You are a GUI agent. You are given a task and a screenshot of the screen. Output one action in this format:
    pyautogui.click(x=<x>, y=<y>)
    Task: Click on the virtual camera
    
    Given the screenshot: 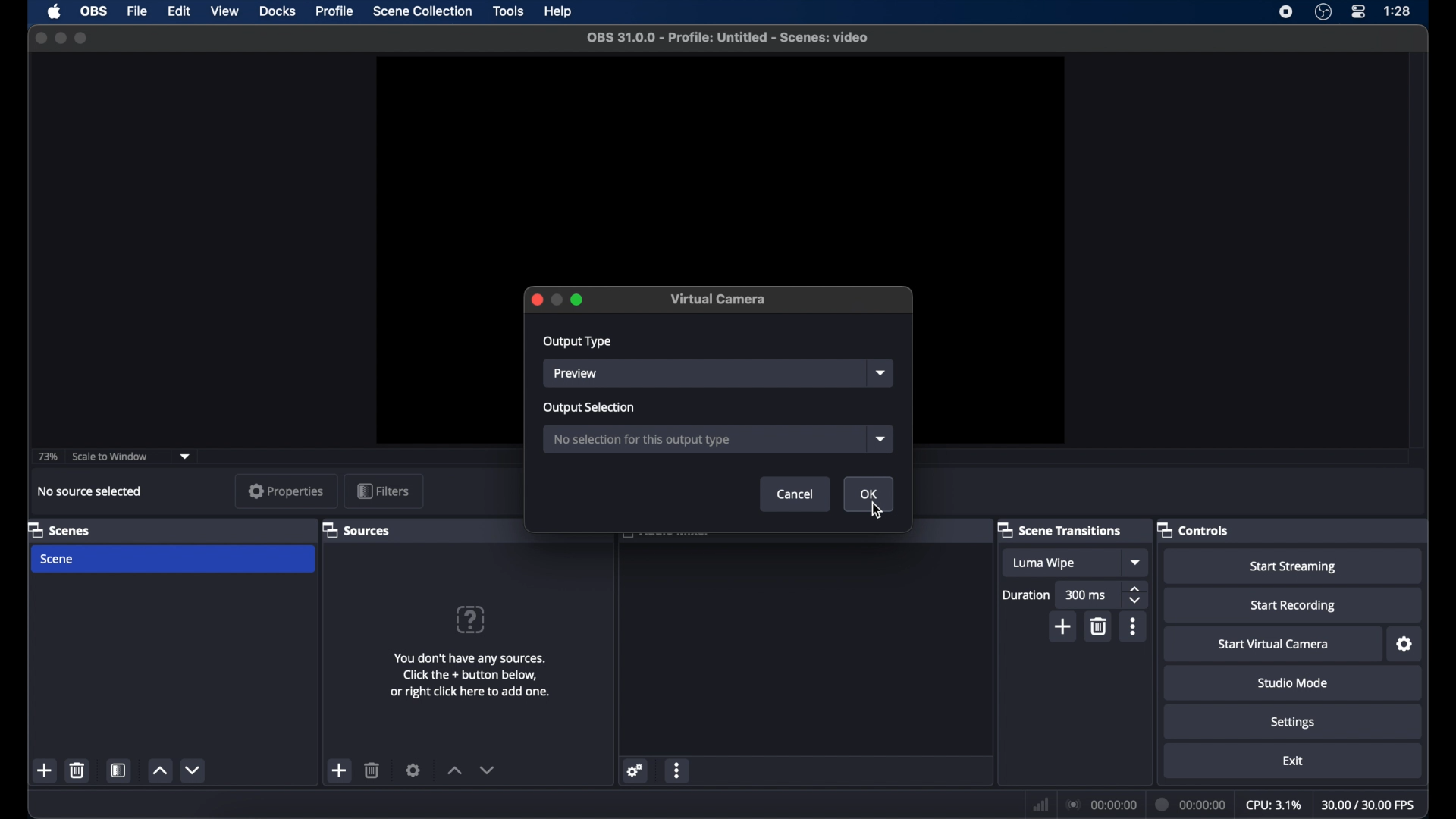 What is the action you would take?
    pyautogui.click(x=719, y=300)
    